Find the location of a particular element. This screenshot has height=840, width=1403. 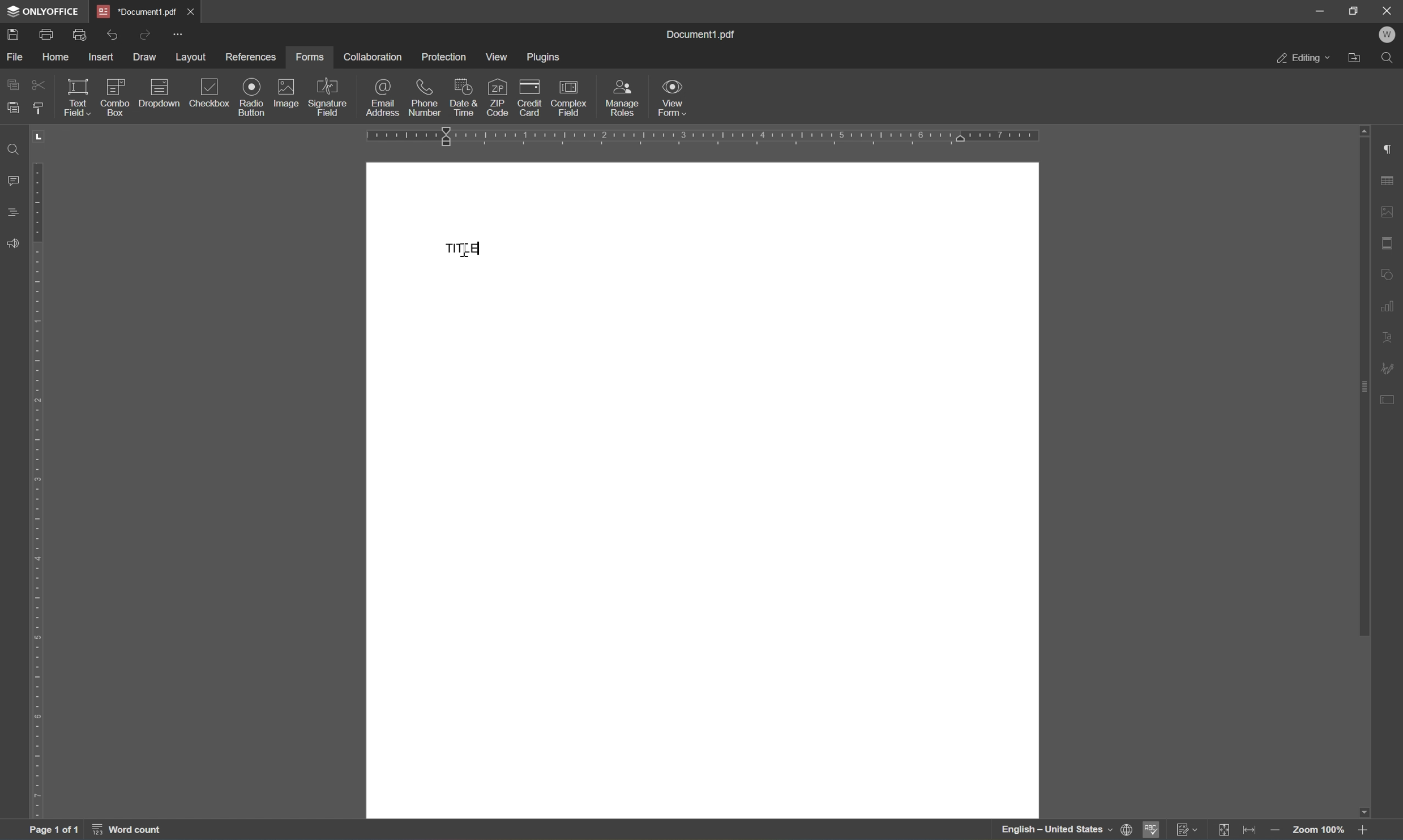

paste is located at coordinates (17, 109).